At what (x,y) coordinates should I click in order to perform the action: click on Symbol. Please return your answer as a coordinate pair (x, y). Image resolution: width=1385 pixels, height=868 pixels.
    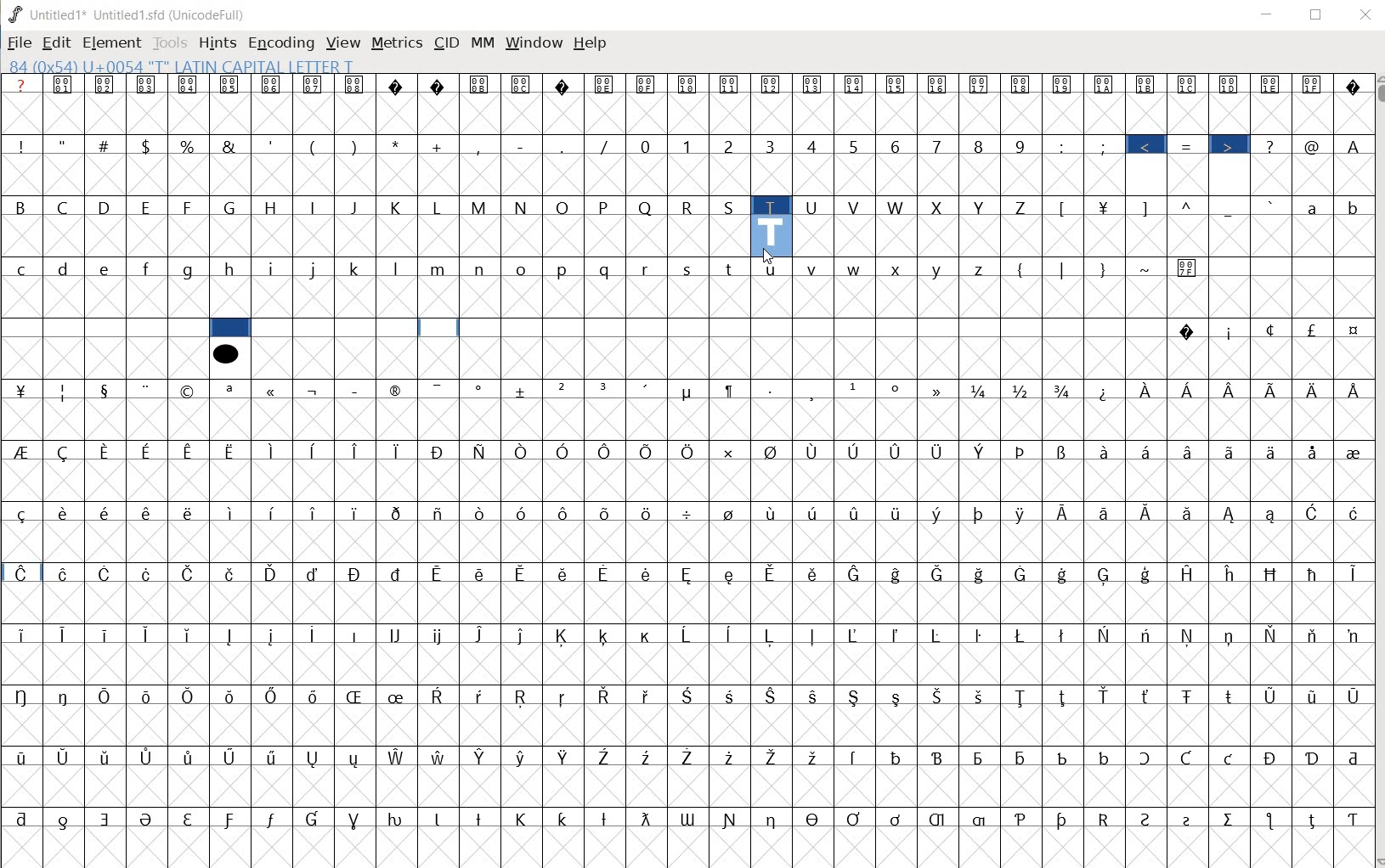
    Looking at the image, I should click on (1063, 391).